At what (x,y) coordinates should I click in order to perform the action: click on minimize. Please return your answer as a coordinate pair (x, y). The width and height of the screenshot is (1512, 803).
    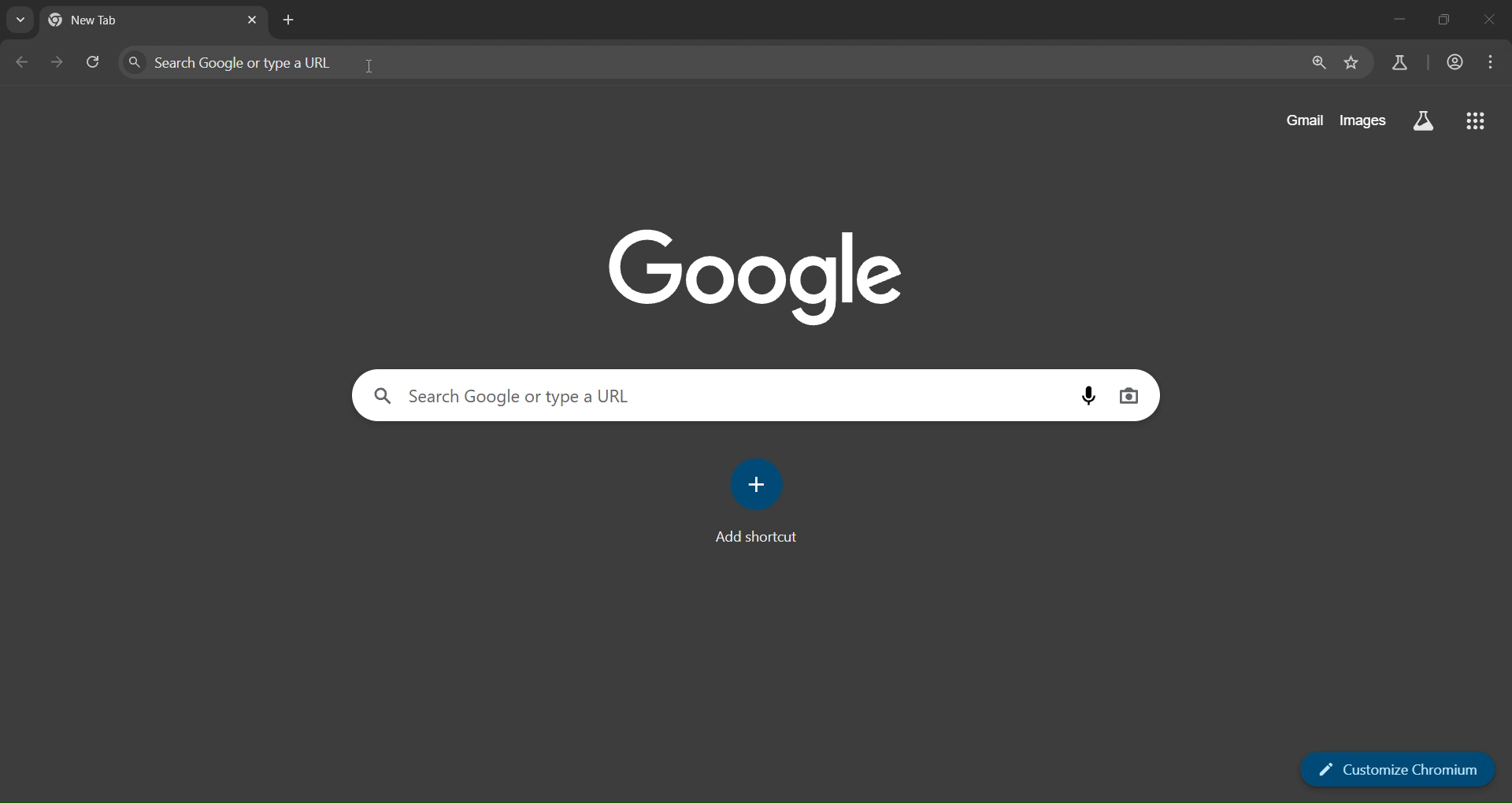
    Looking at the image, I should click on (1398, 21).